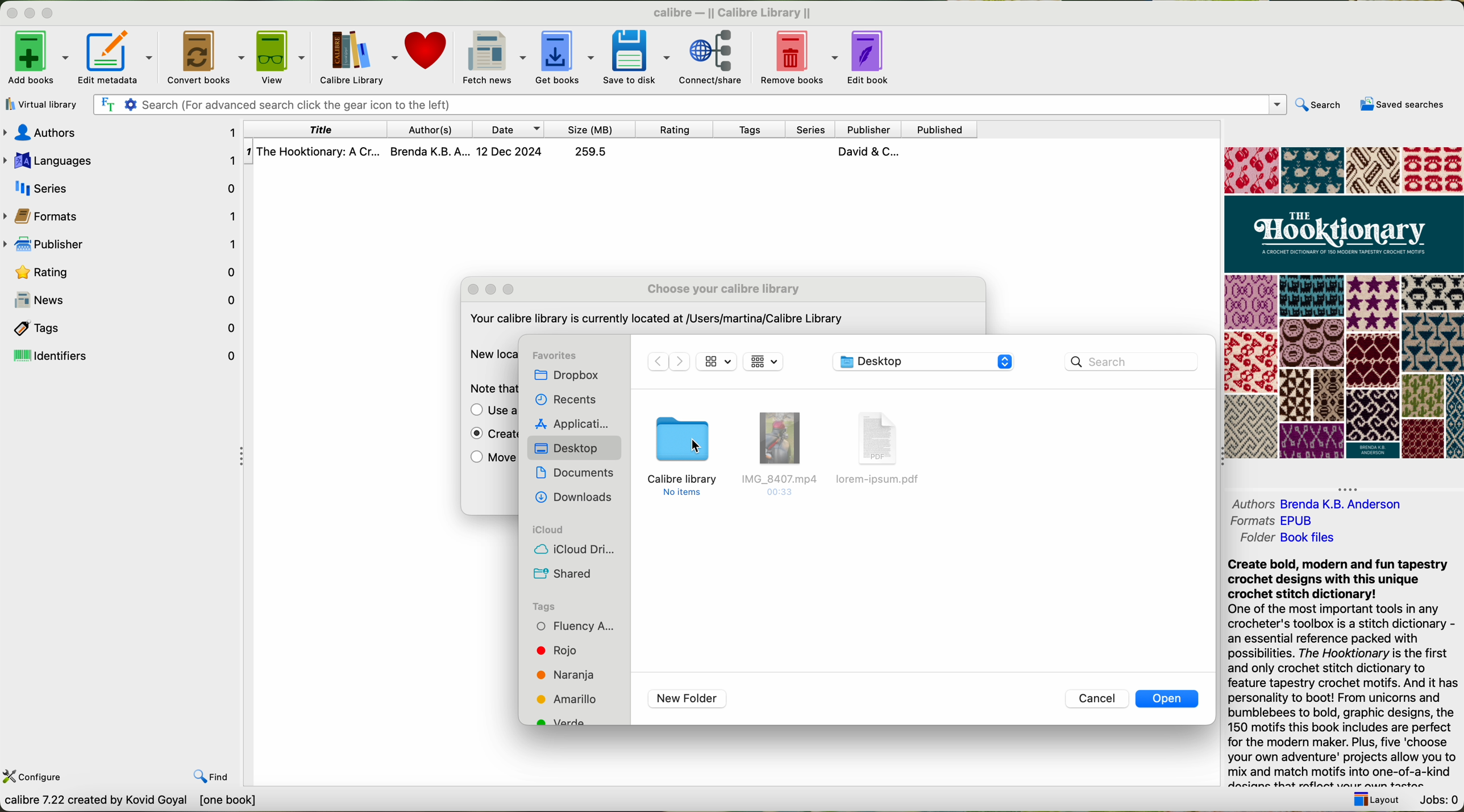 The width and height of the screenshot is (1464, 812). I want to click on tags, so click(543, 607).